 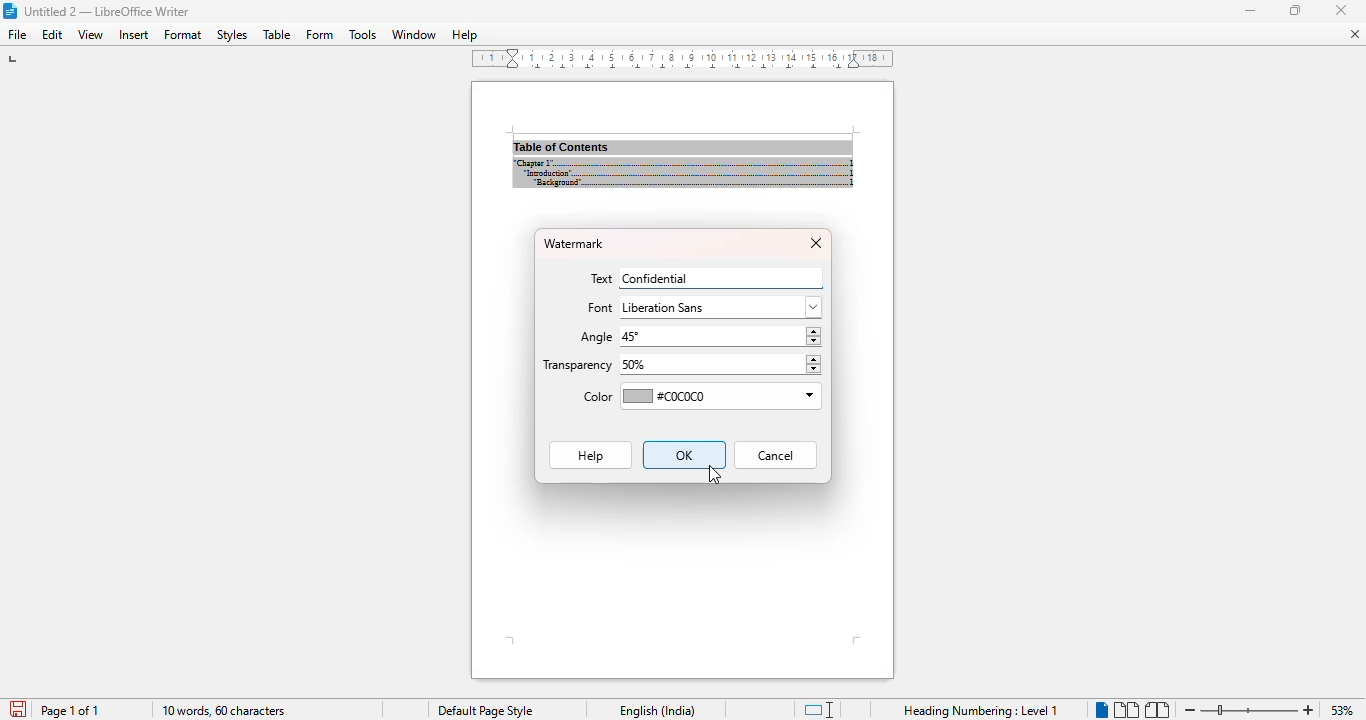 What do you see at coordinates (574, 243) in the screenshot?
I see `watermark` at bounding box center [574, 243].